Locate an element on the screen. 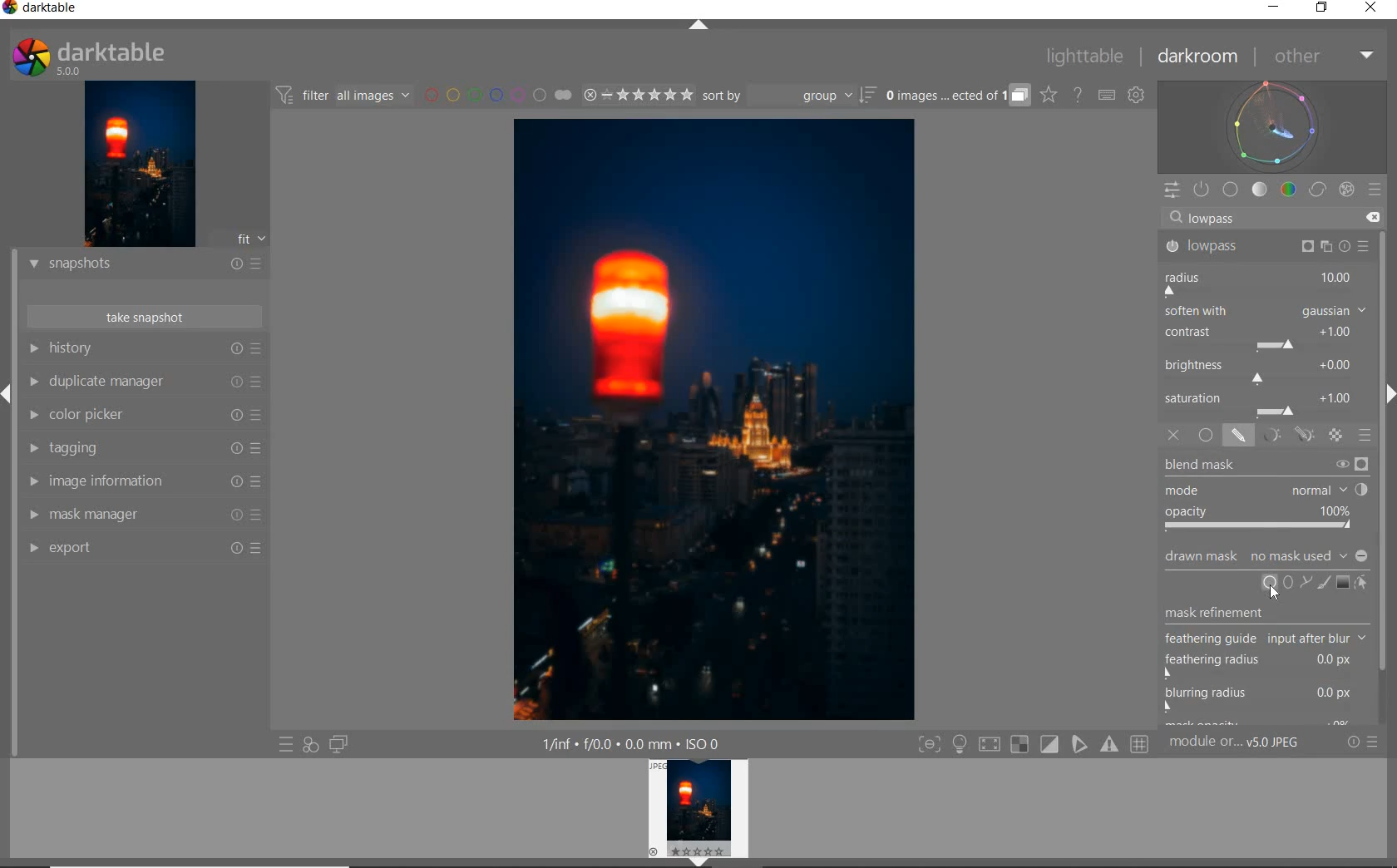  IMAGE PREVIEW is located at coordinates (140, 163).